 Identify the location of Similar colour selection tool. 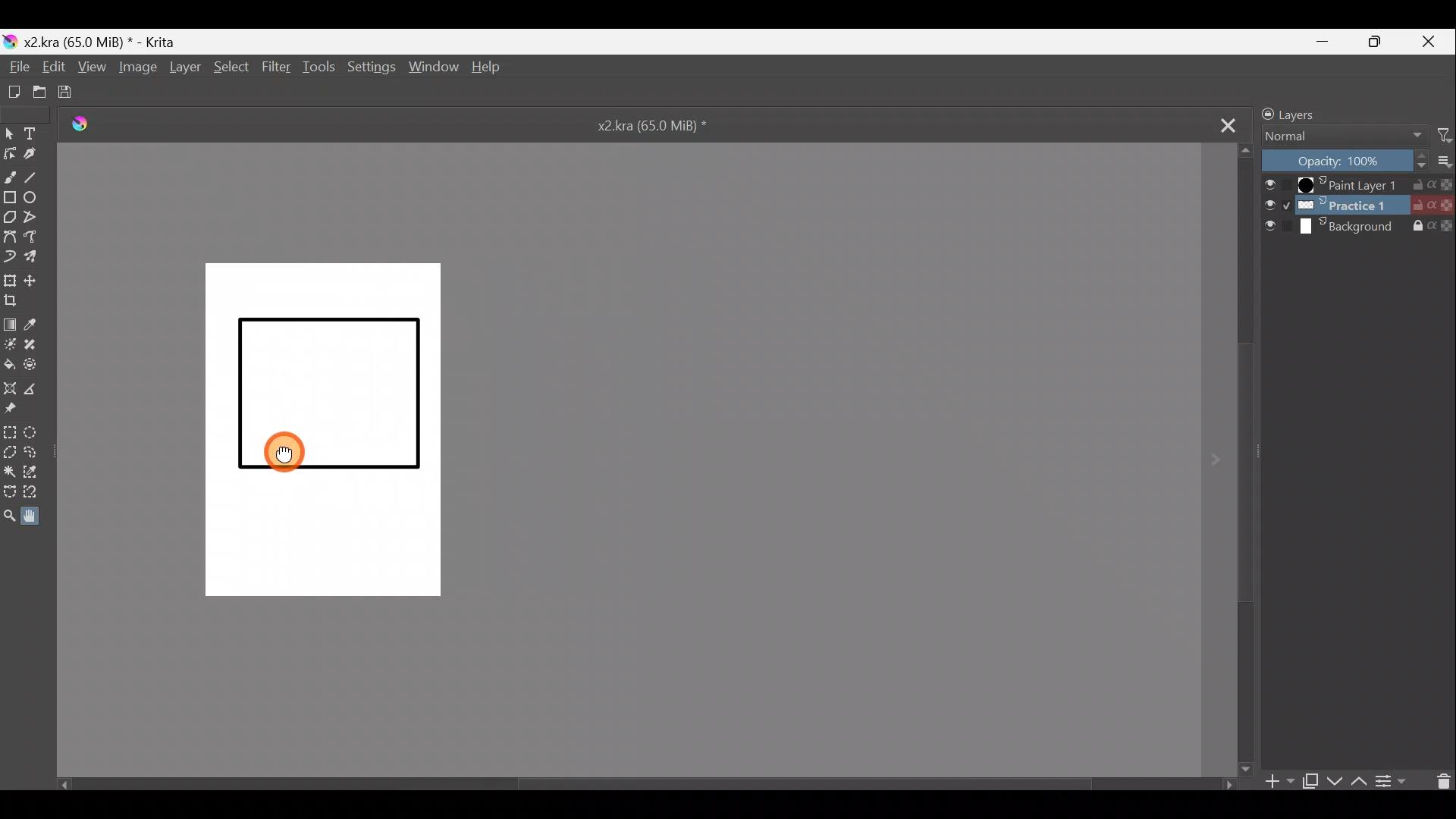
(34, 475).